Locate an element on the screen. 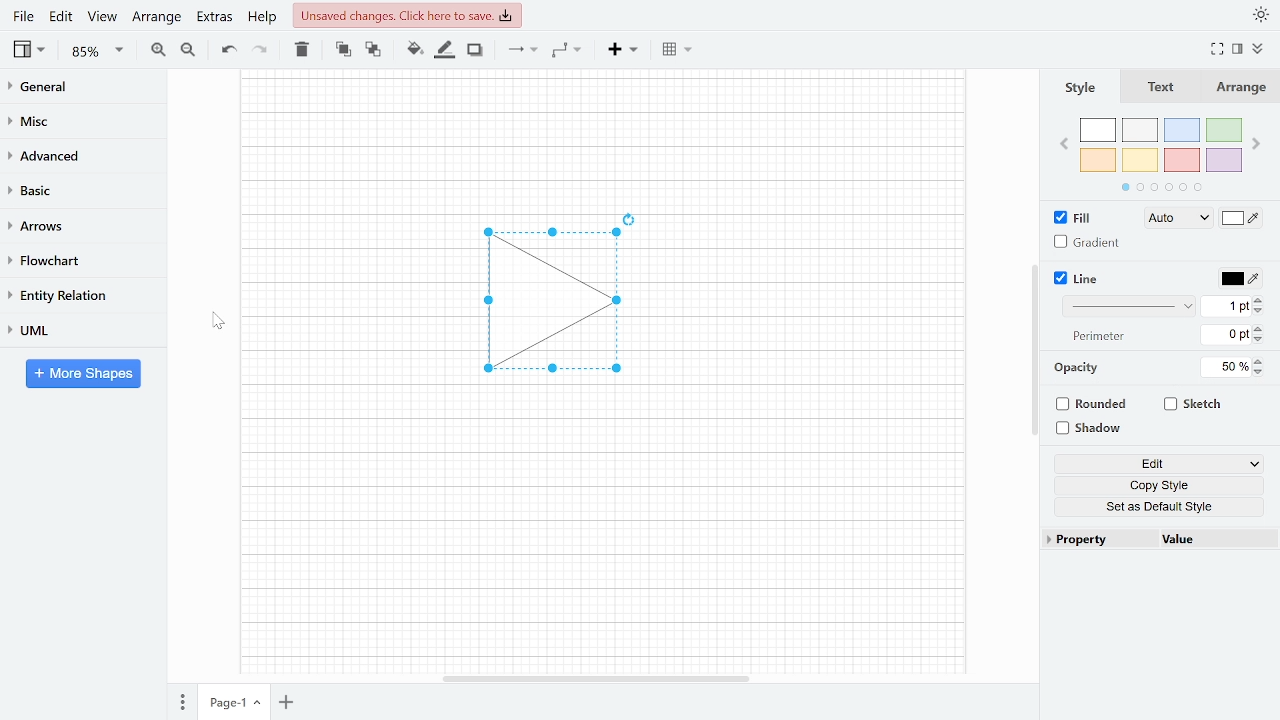 This screenshot has width=1280, height=720. Opacity is located at coordinates (1078, 368).